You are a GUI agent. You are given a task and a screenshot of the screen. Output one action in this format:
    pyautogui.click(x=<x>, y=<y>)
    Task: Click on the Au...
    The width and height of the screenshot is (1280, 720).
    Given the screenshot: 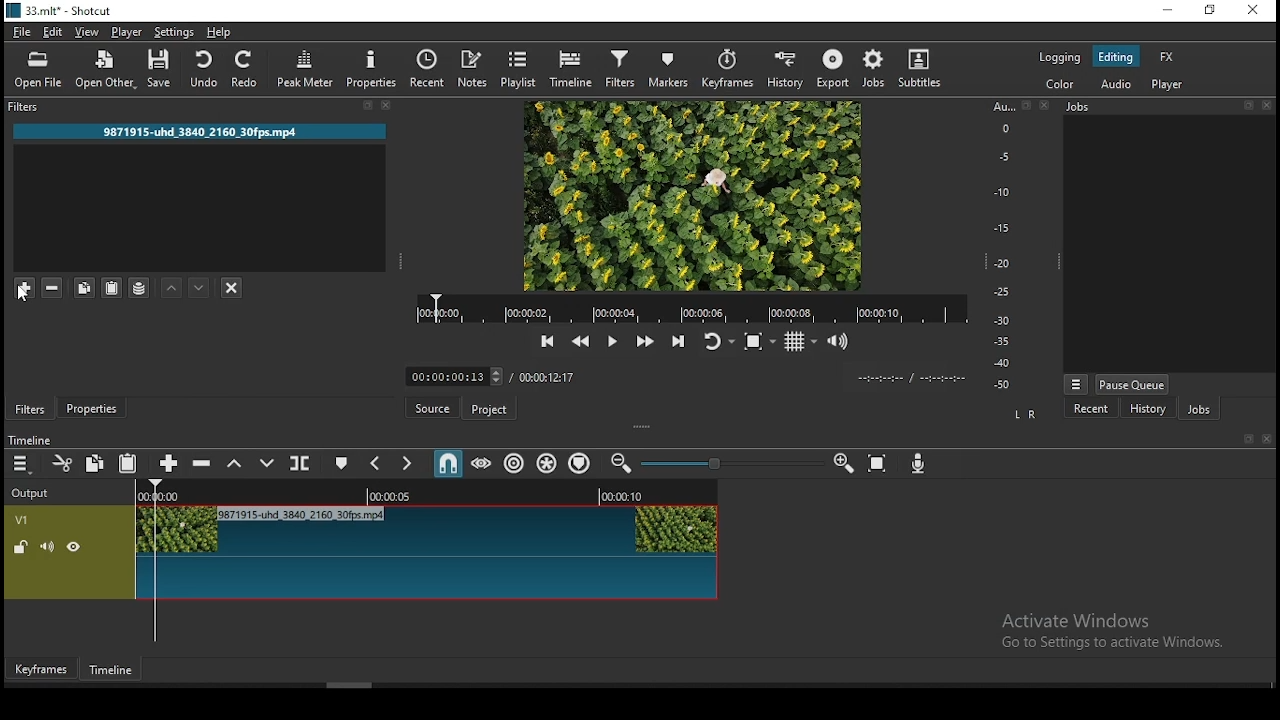 What is the action you would take?
    pyautogui.click(x=1002, y=107)
    